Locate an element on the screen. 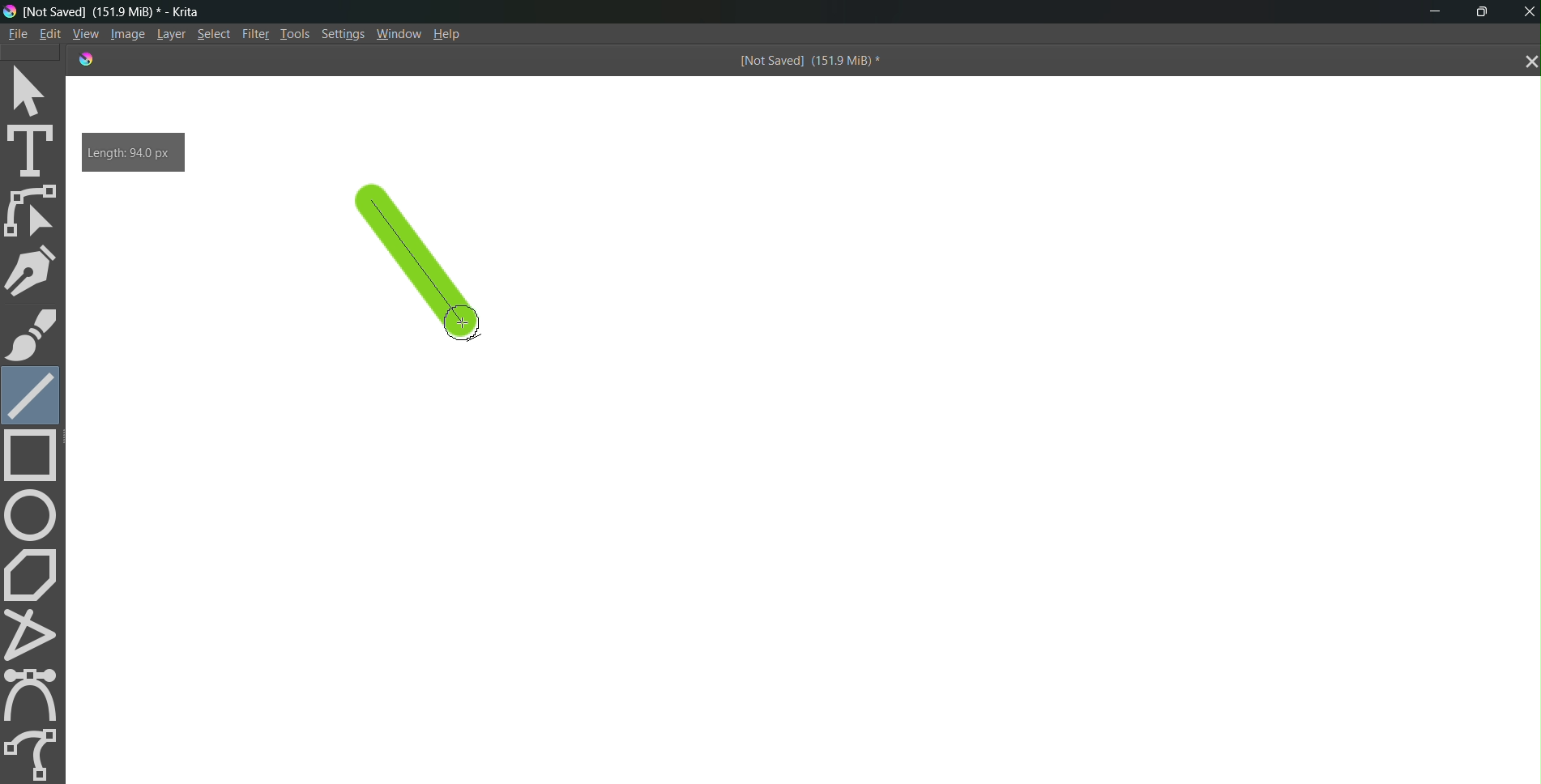  polygon is located at coordinates (34, 573).